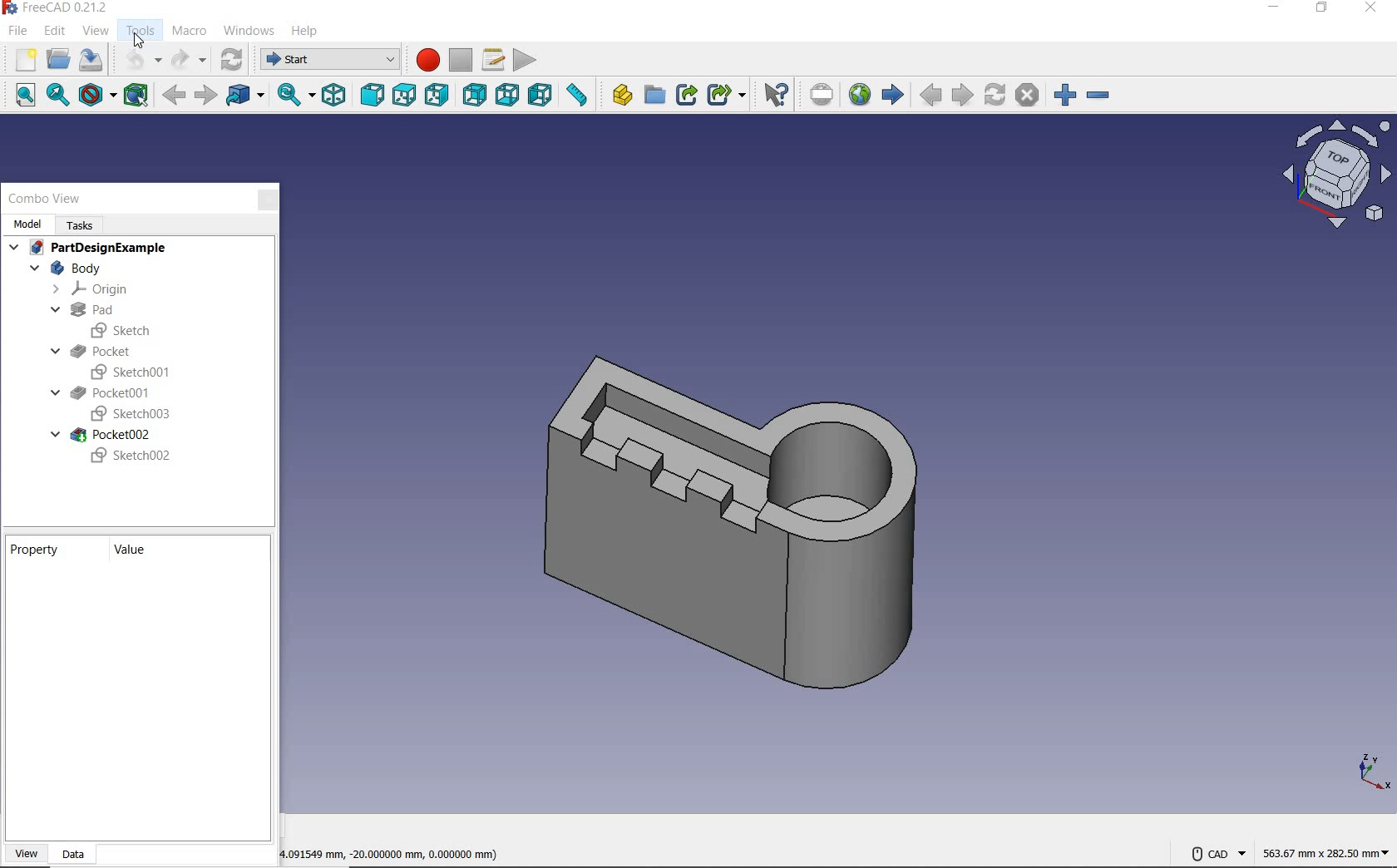 Image resolution: width=1397 pixels, height=868 pixels. Describe the element at coordinates (1374, 9) in the screenshot. I see `Close` at that location.